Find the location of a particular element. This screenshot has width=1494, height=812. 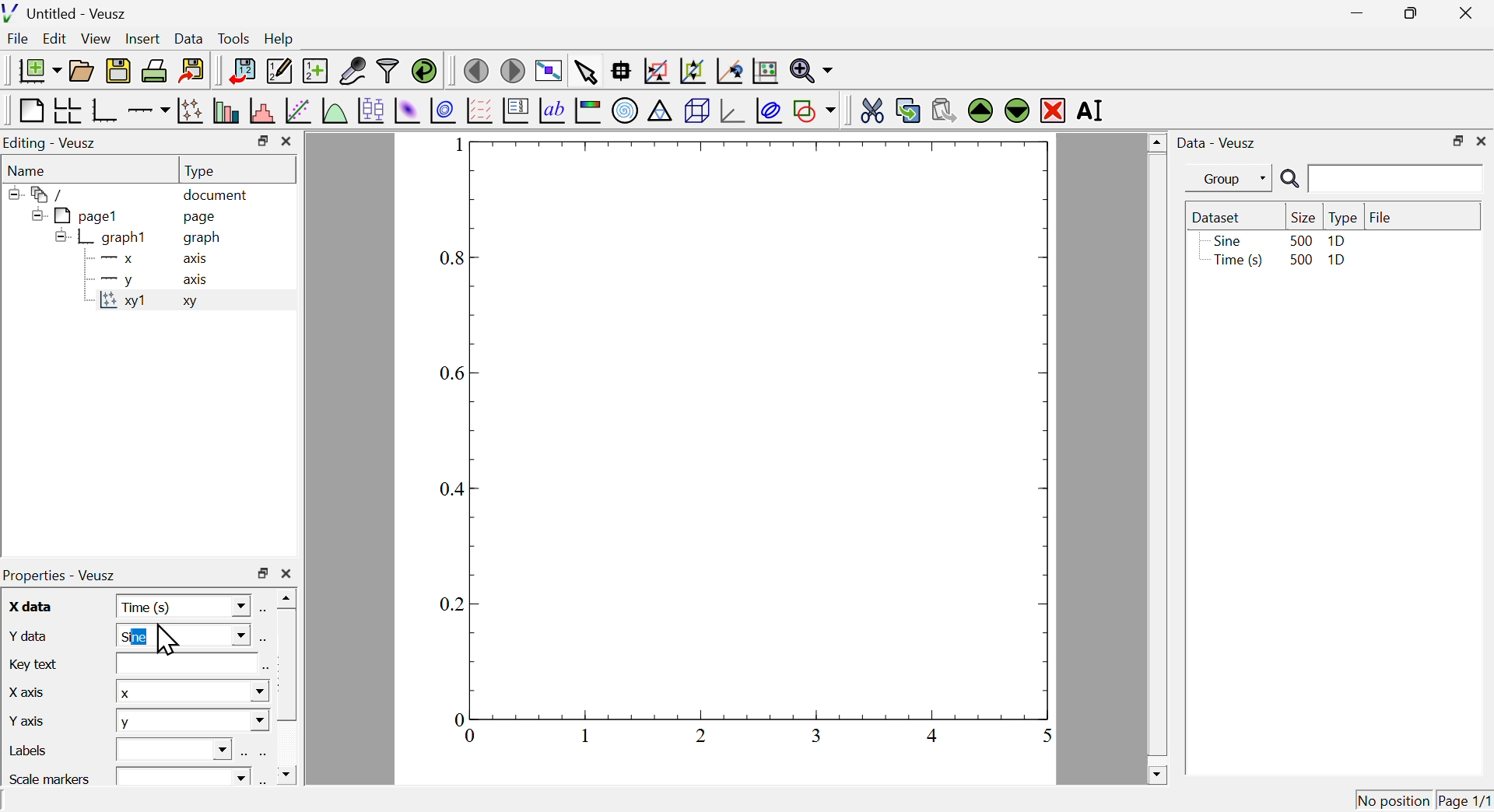

plot key is located at coordinates (516, 113).